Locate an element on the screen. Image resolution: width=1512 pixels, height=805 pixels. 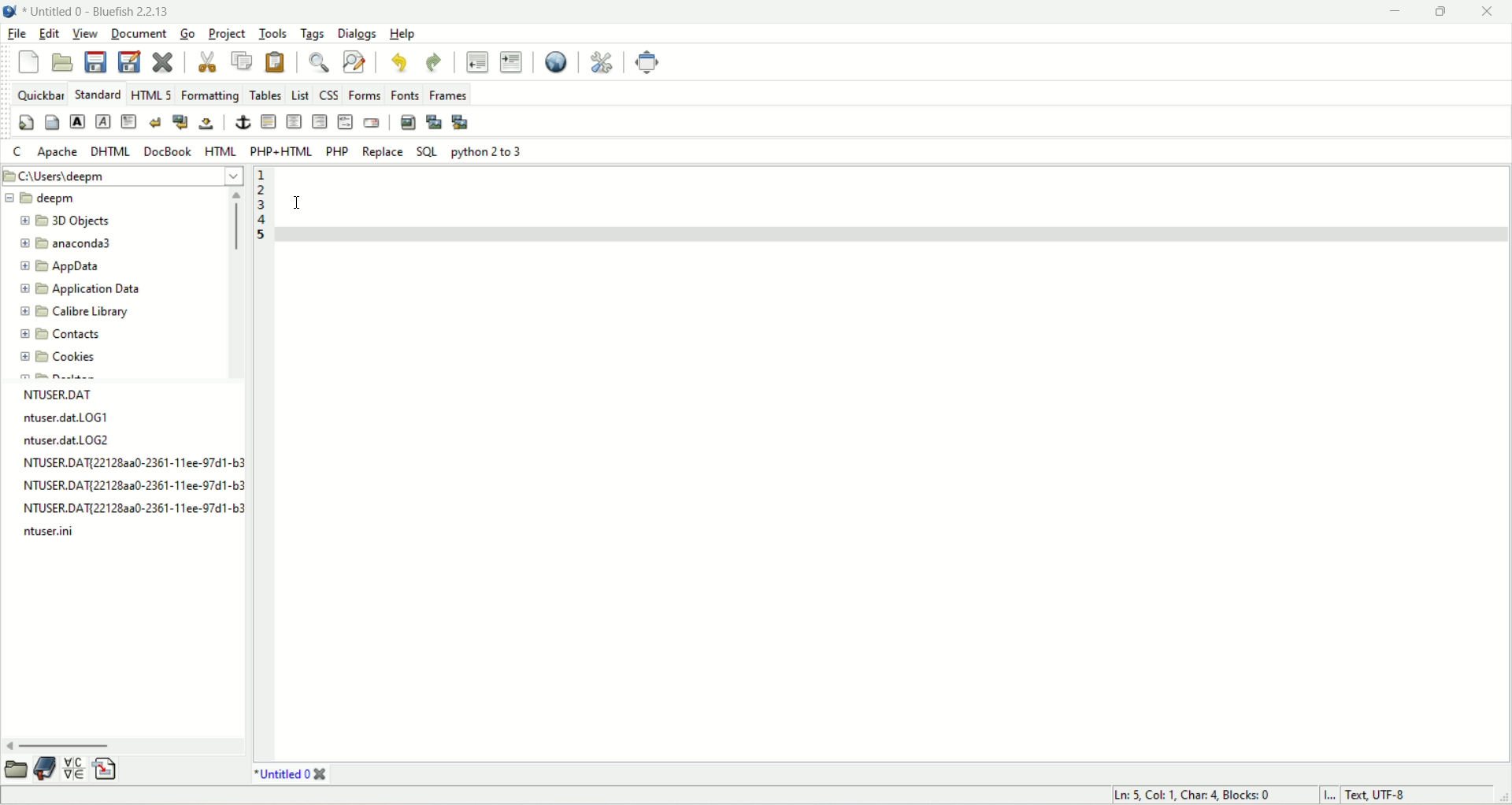
horizontal rule is located at coordinates (267, 124).